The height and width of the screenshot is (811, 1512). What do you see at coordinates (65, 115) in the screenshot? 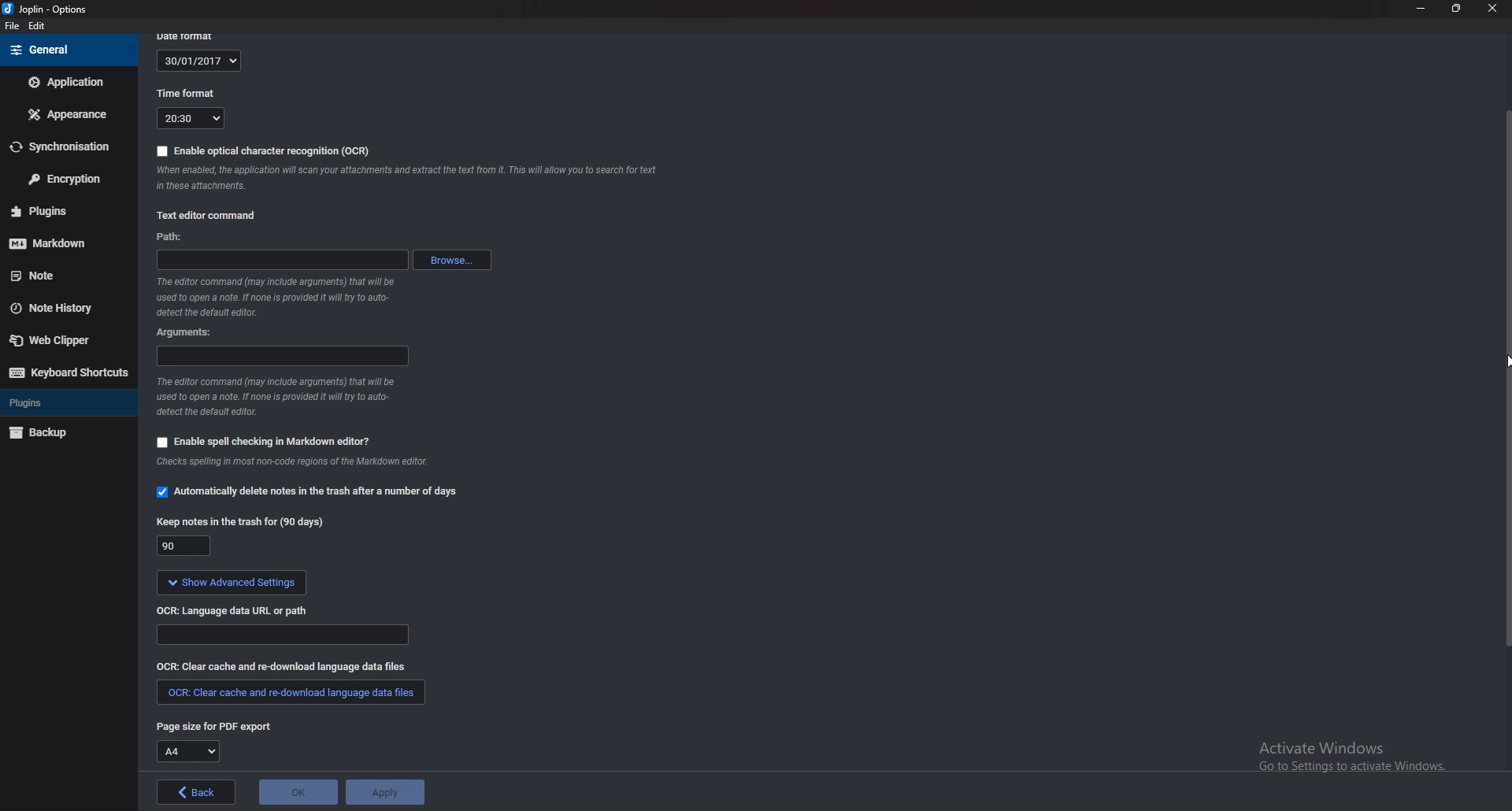
I see `Appearance` at bounding box center [65, 115].